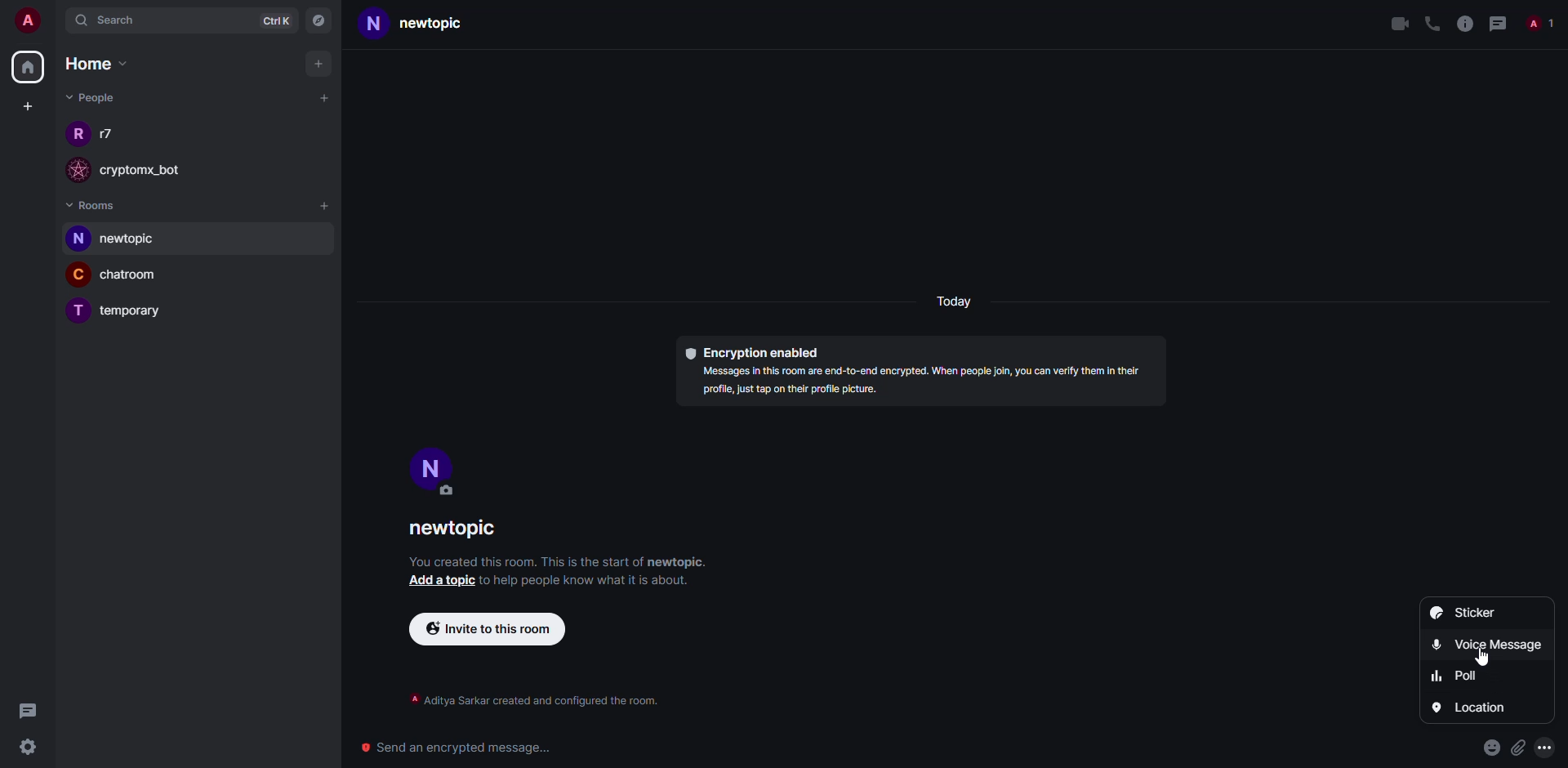 This screenshot has height=768, width=1568. I want to click on home, so click(24, 69).